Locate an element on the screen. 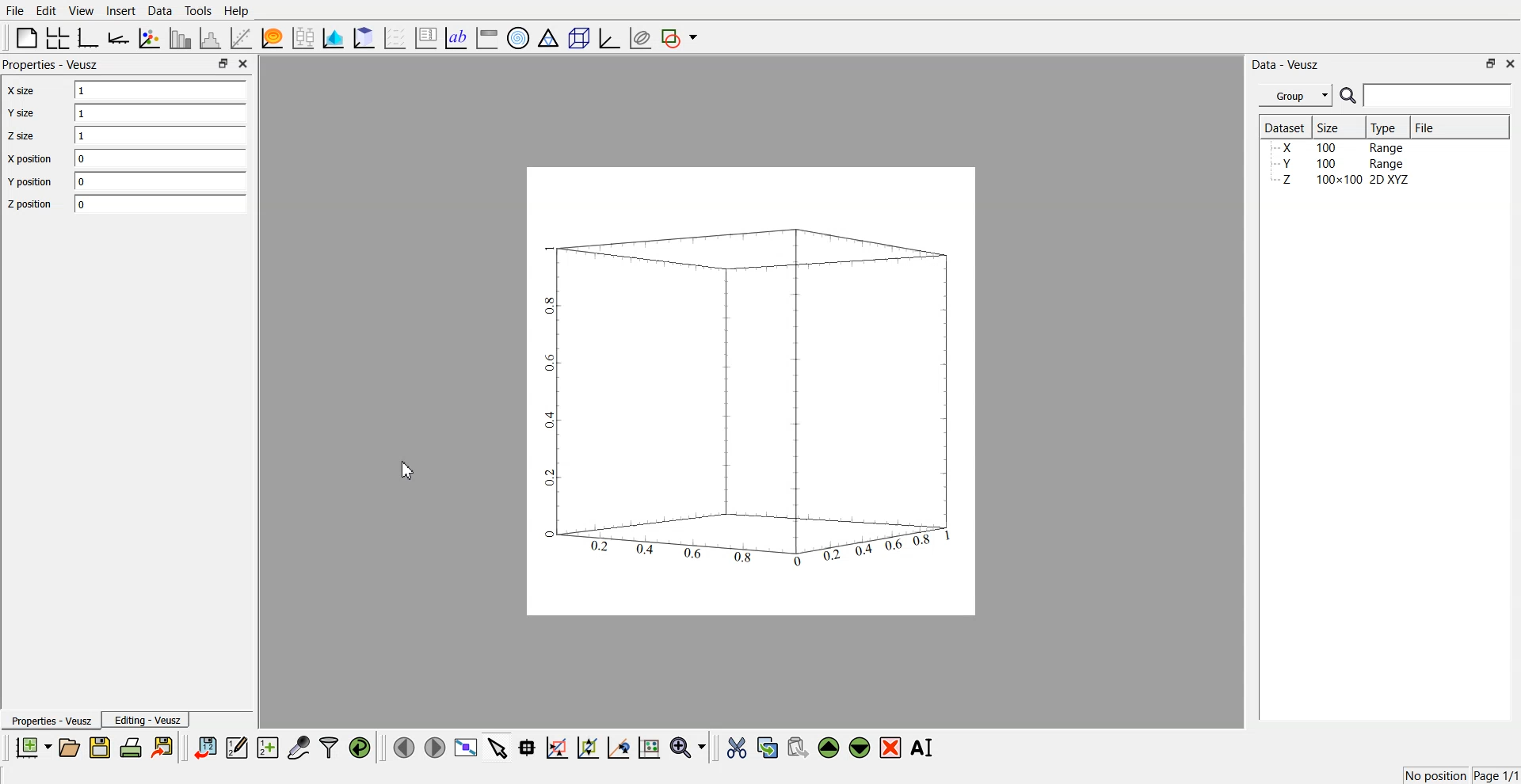  Recenter graph axes is located at coordinates (619, 747).